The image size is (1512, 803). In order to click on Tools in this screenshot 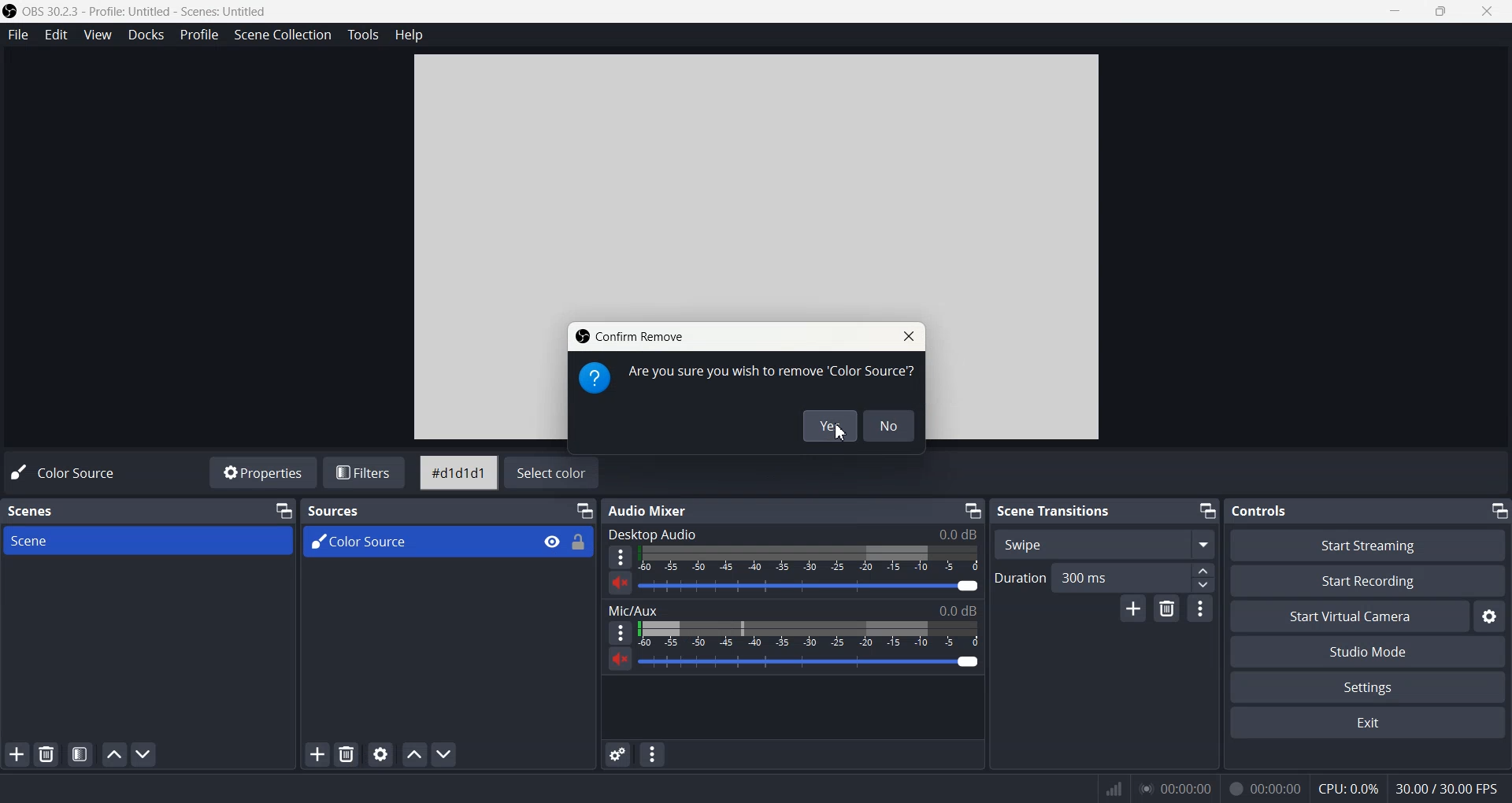, I will do `click(362, 35)`.